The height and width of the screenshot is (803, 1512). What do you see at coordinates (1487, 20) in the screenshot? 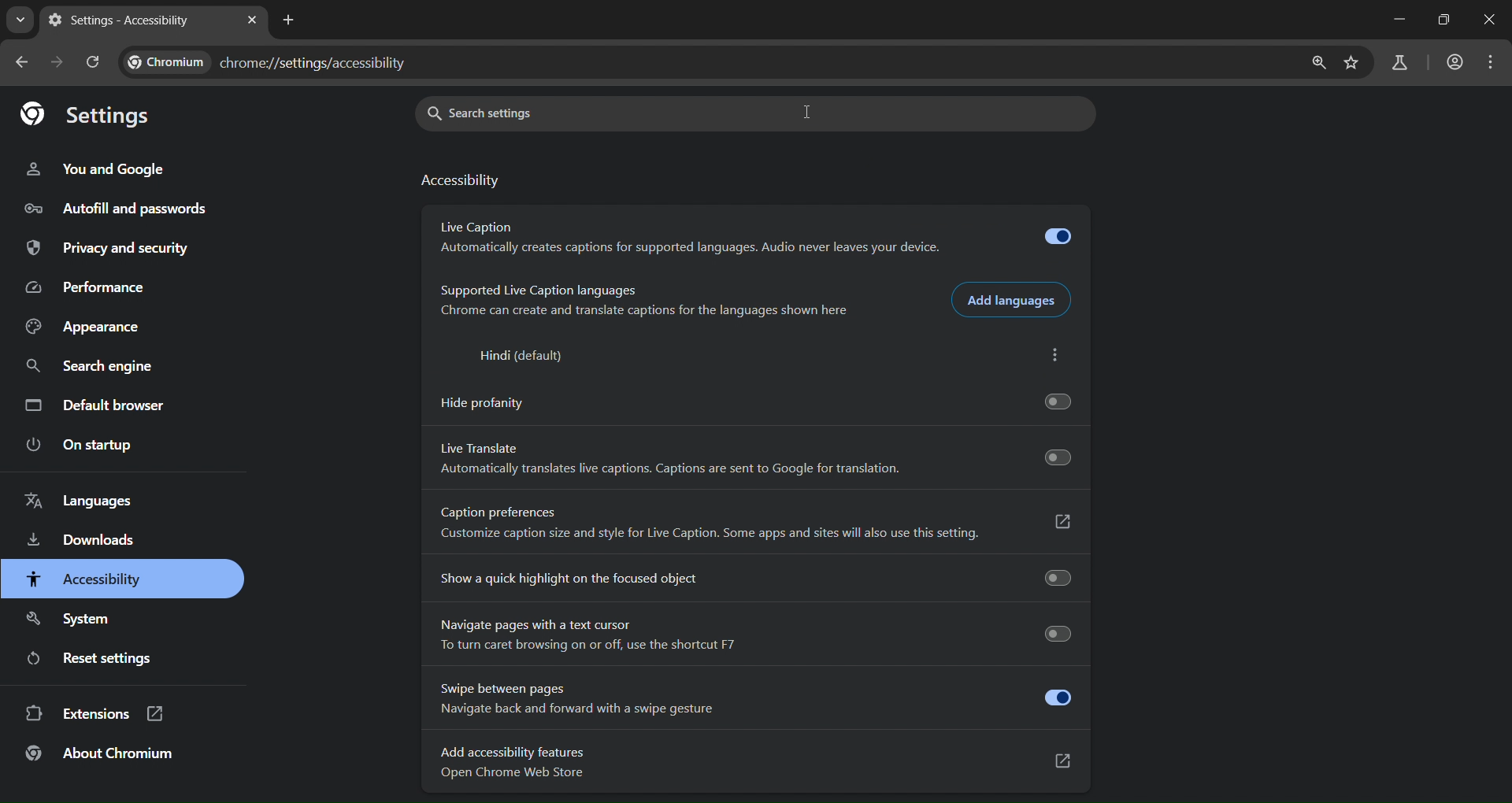
I see `close` at bounding box center [1487, 20].